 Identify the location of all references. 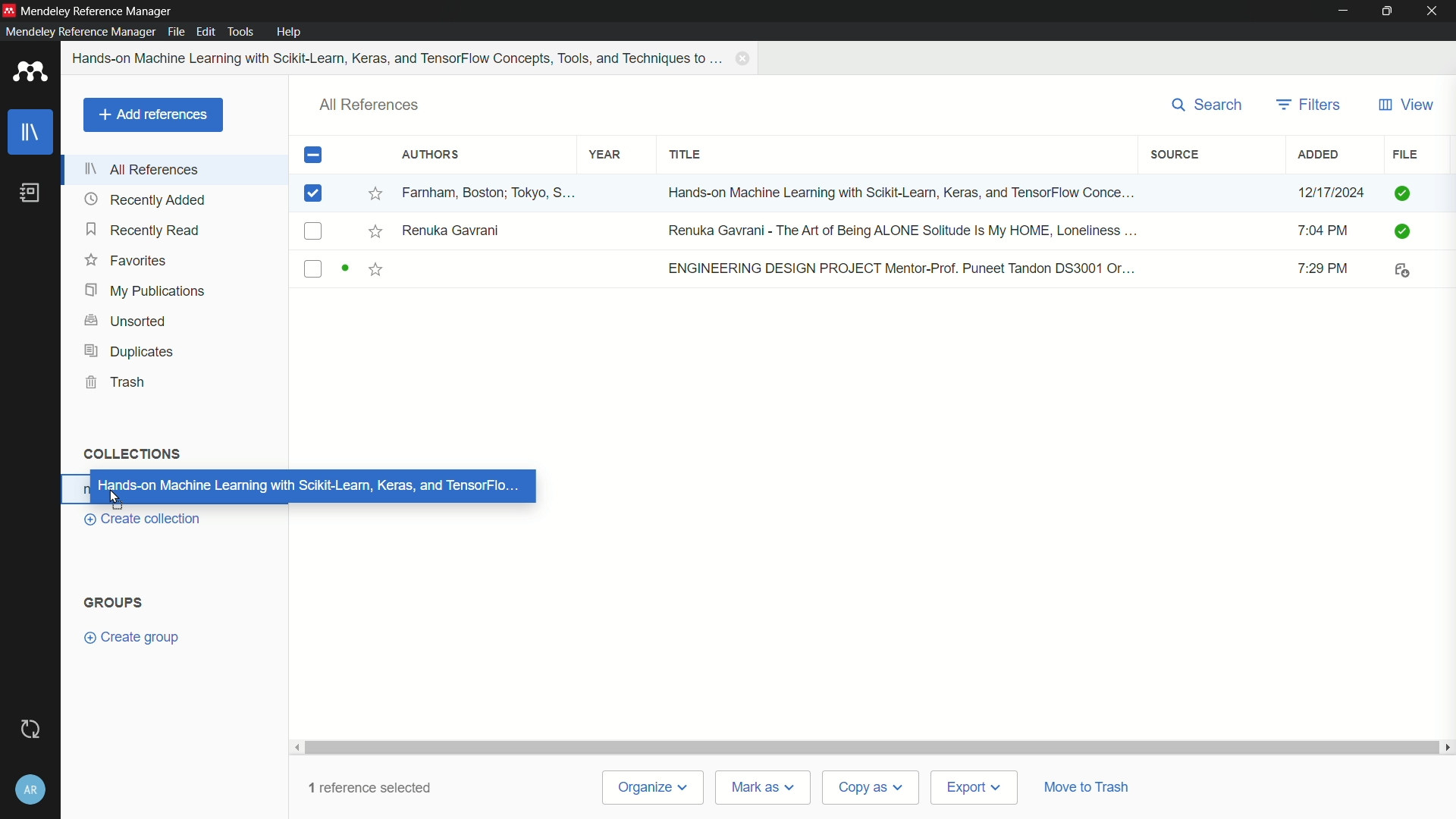
(370, 105).